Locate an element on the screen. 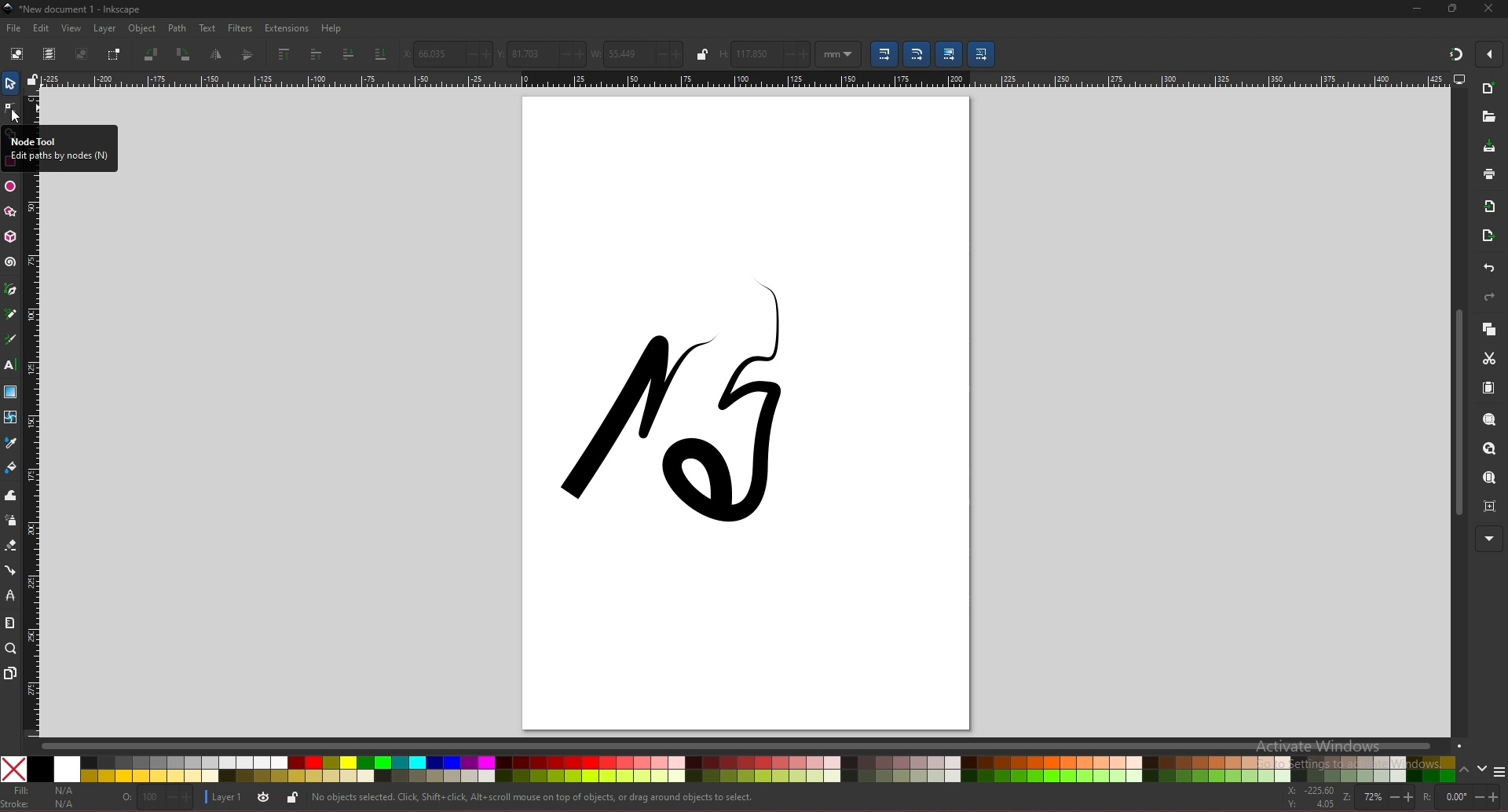 This screenshot has height=812, width=1508. cut is located at coordinates (1490, 358).